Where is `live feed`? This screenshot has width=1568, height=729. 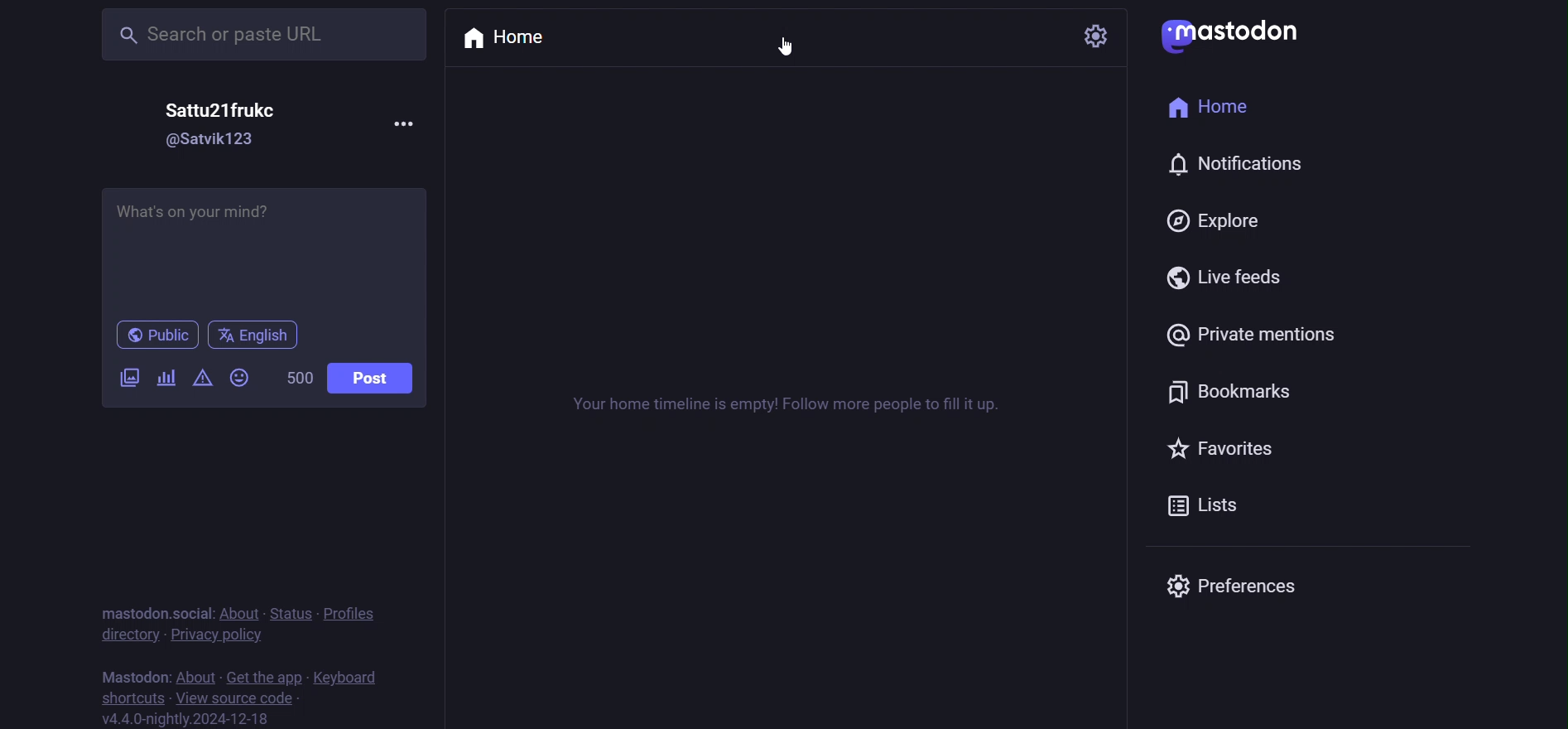
live feed is located at coordinates (1227, 277).